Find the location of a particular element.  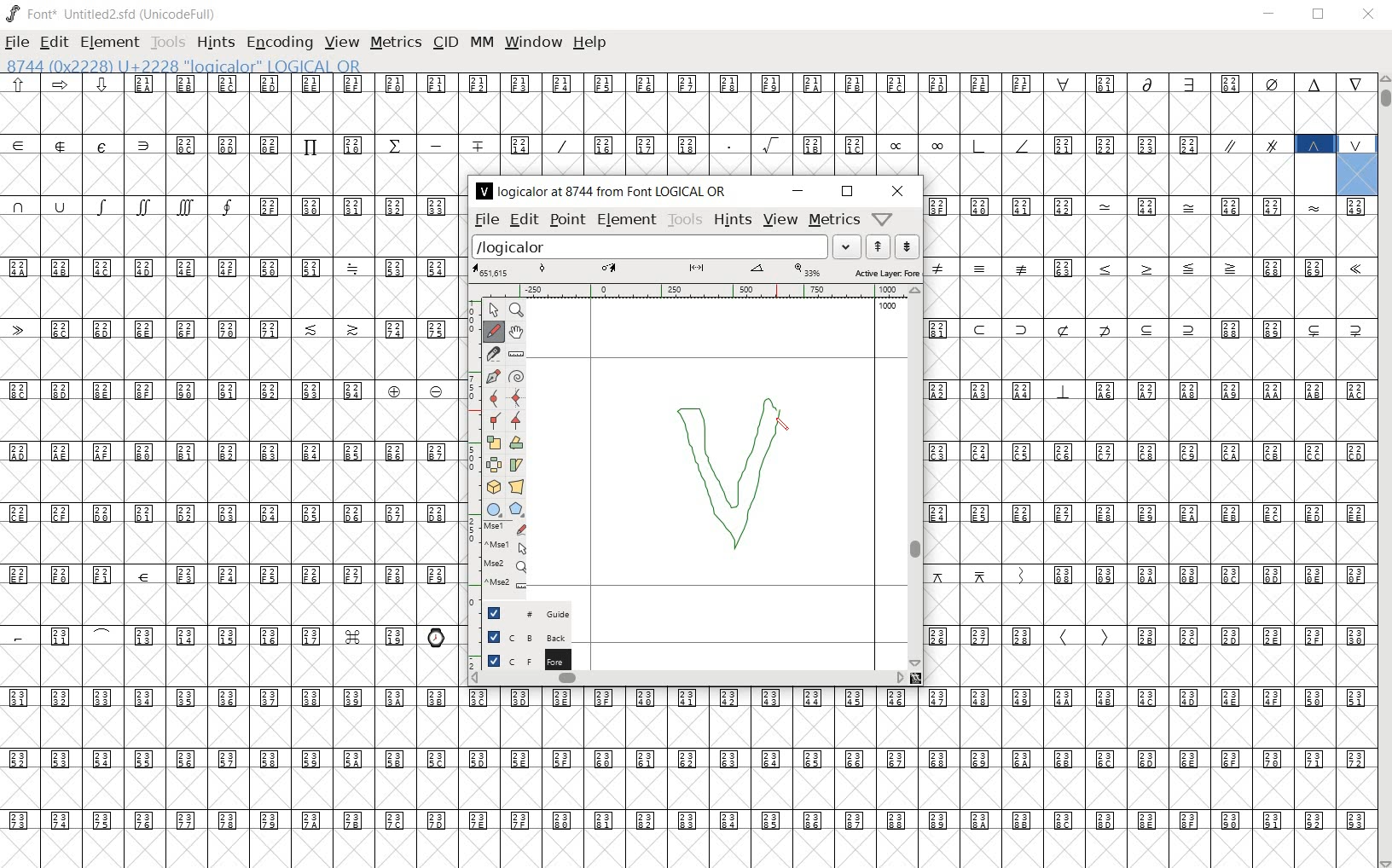

draw a freehand curve is located at coordinates (494, 332).